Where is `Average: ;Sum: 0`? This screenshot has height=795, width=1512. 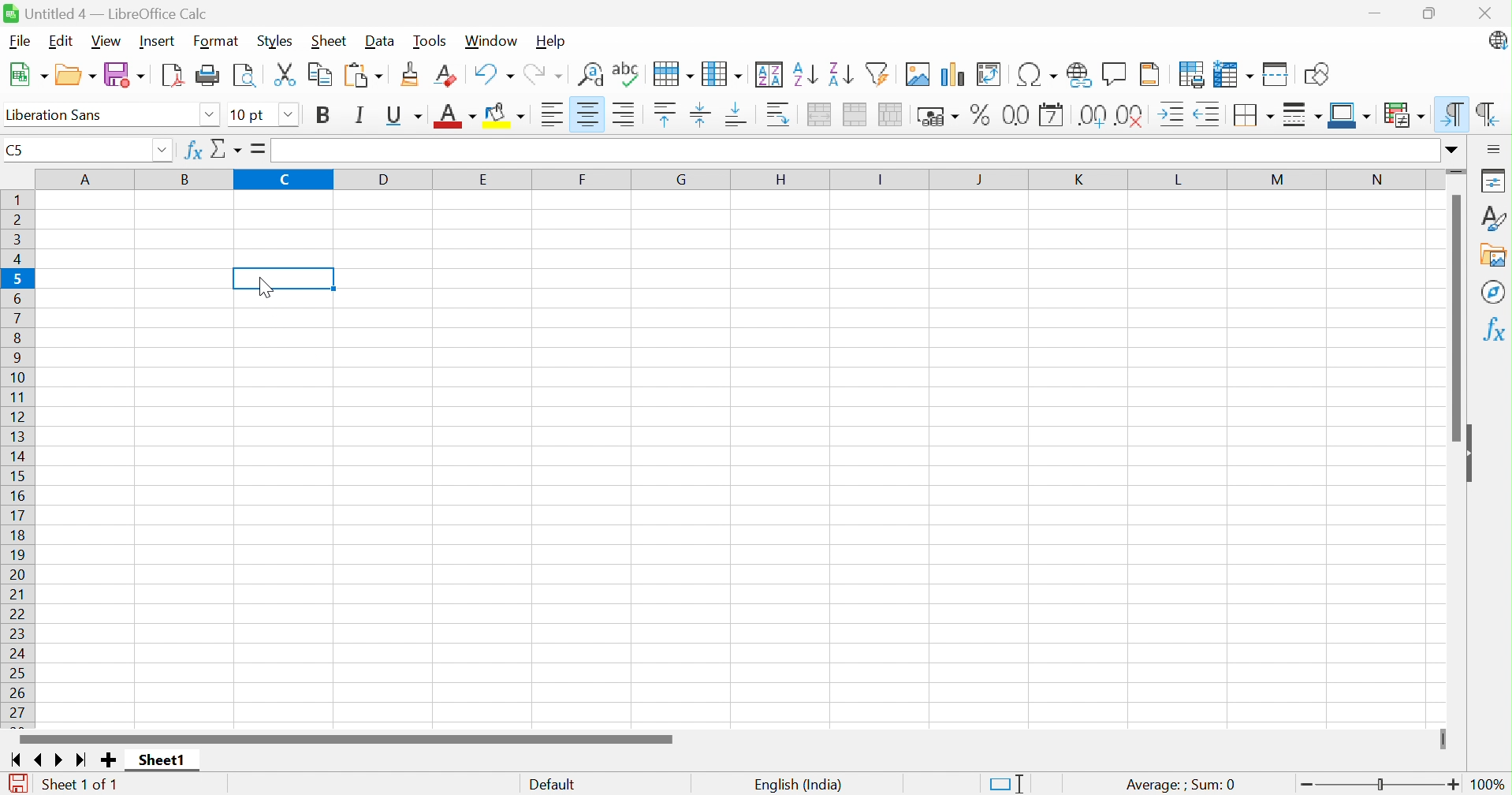
Average: ;Sum: 0 is located at coordinates (1180, 782).